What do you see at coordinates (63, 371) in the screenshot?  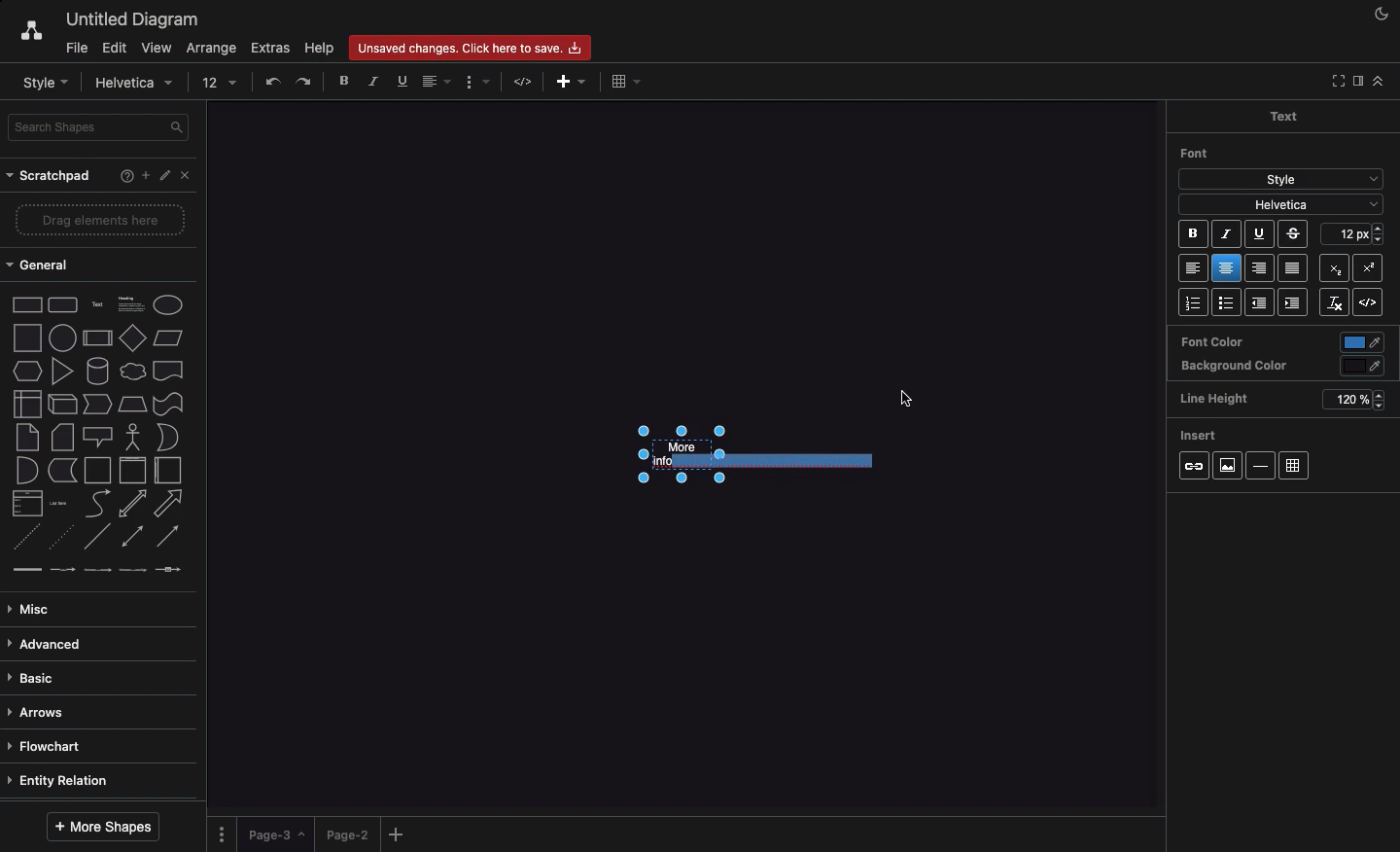 I see `triangle` at bounding box center [63, 371].